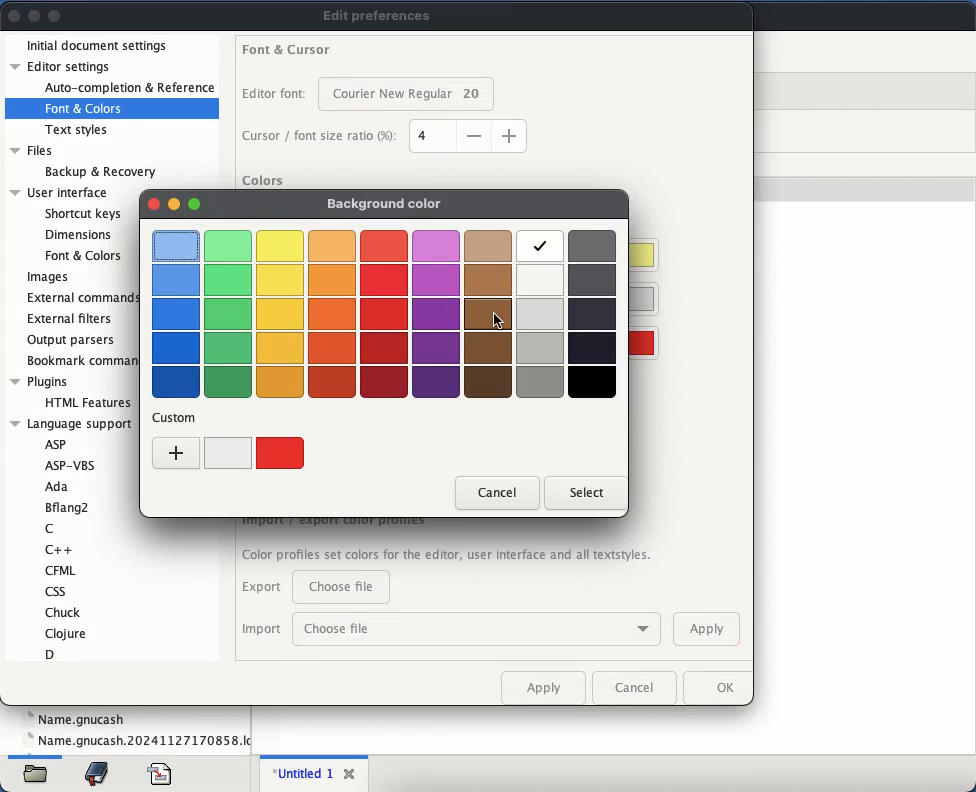 This screenshot has width=976, height=792. What do you see at coordinates (84, 211) in the screenshot?
I see `Shortcut keys` at bounding box center [84, 211].